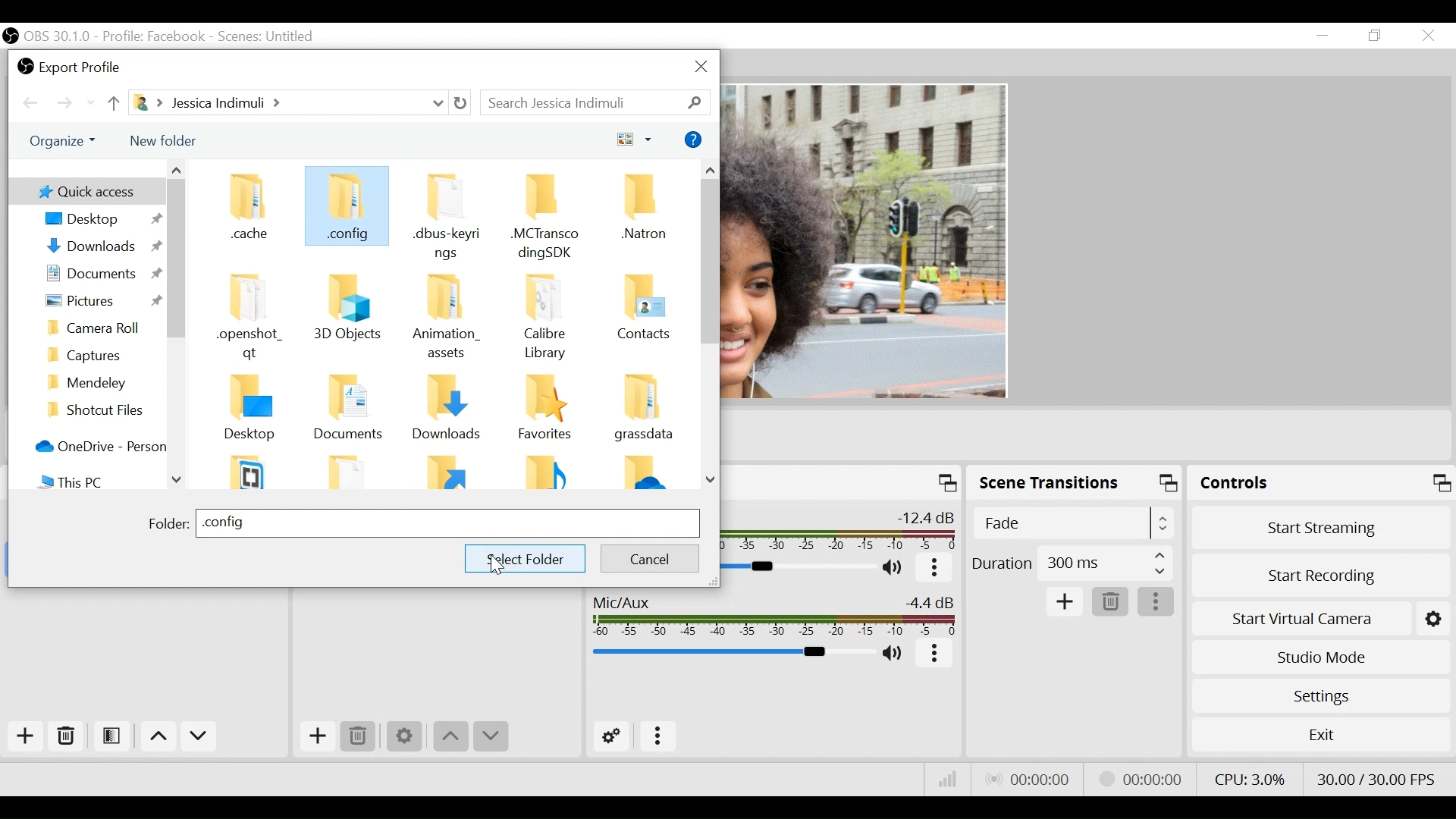 The width and height of the screenshot is (1456, 819). I want to click on This PC, so click(99, 481).